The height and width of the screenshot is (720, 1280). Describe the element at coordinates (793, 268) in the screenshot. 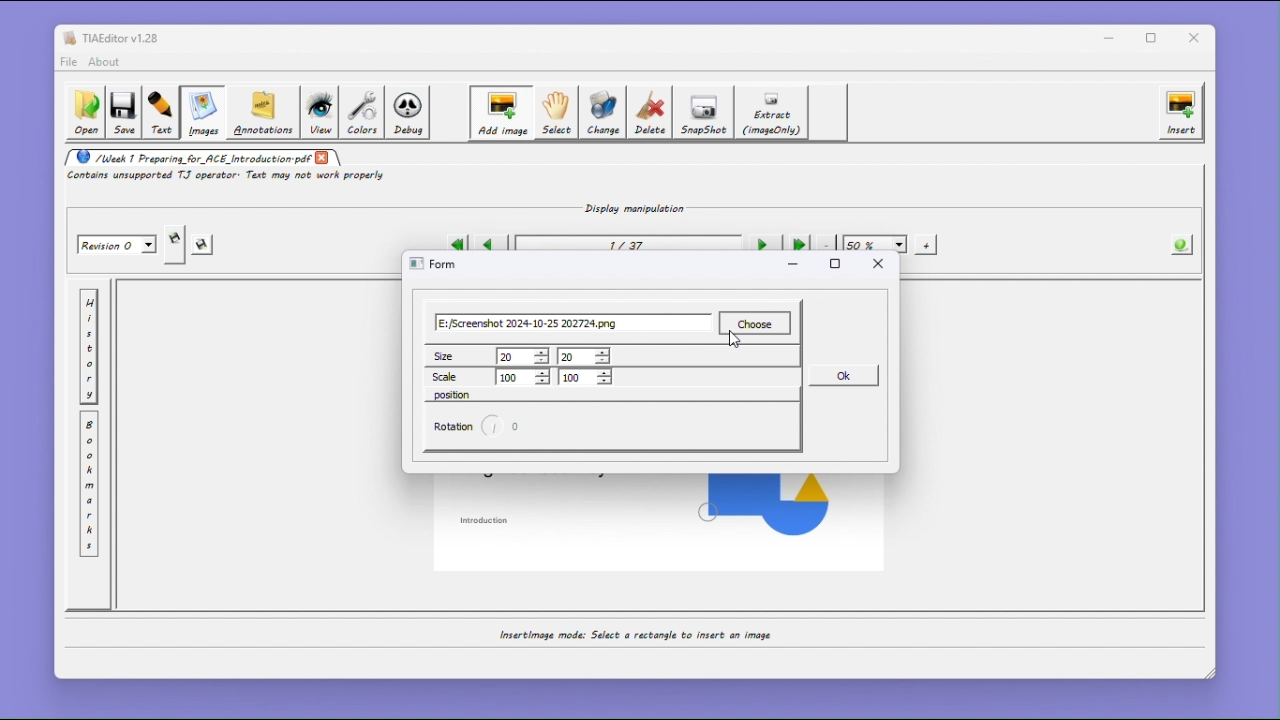

I see `minimize` at that location.